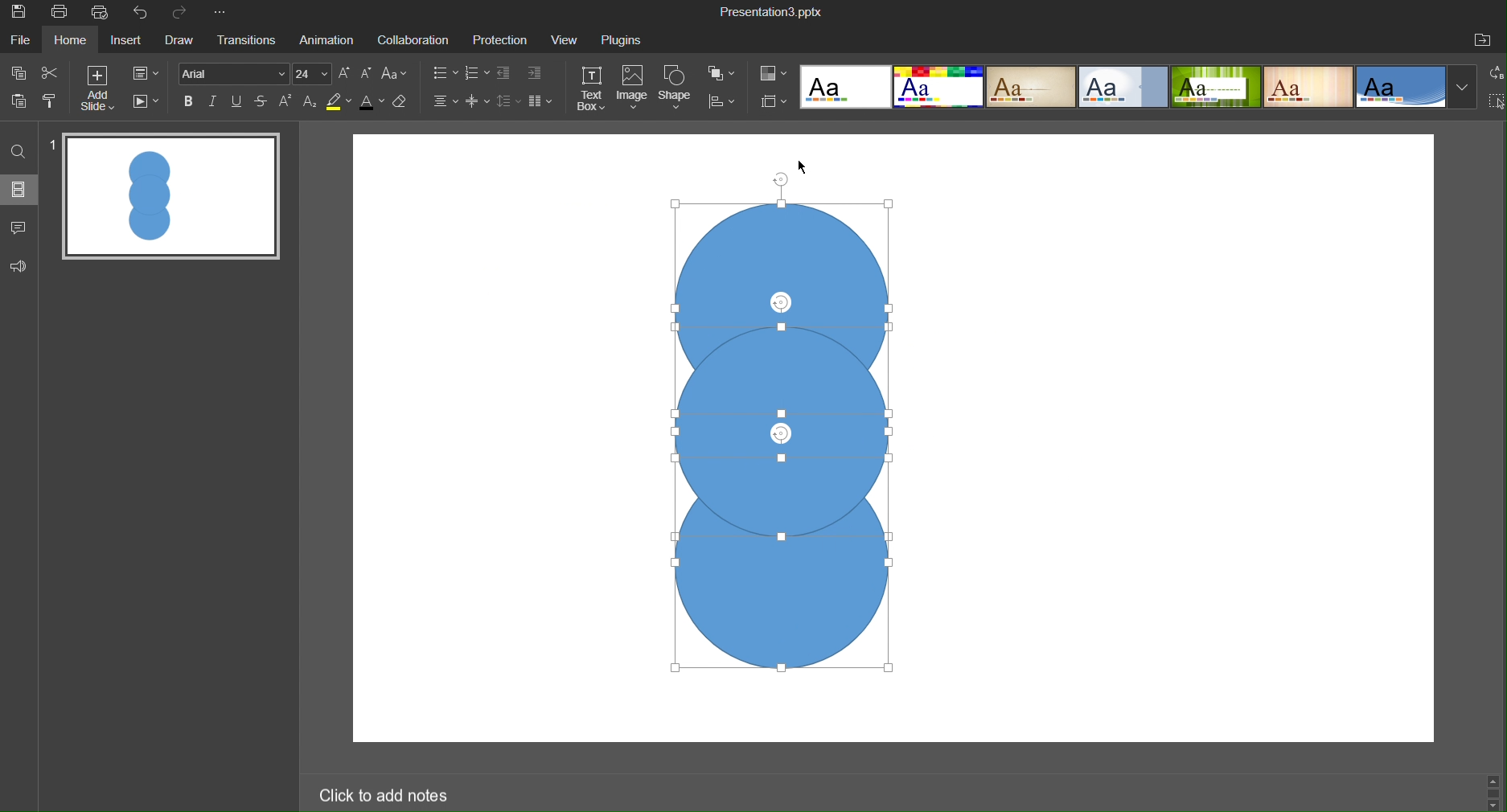 This screenshot has width=1507, height=812. I want to click on Scroll down , so click(1494, 806).